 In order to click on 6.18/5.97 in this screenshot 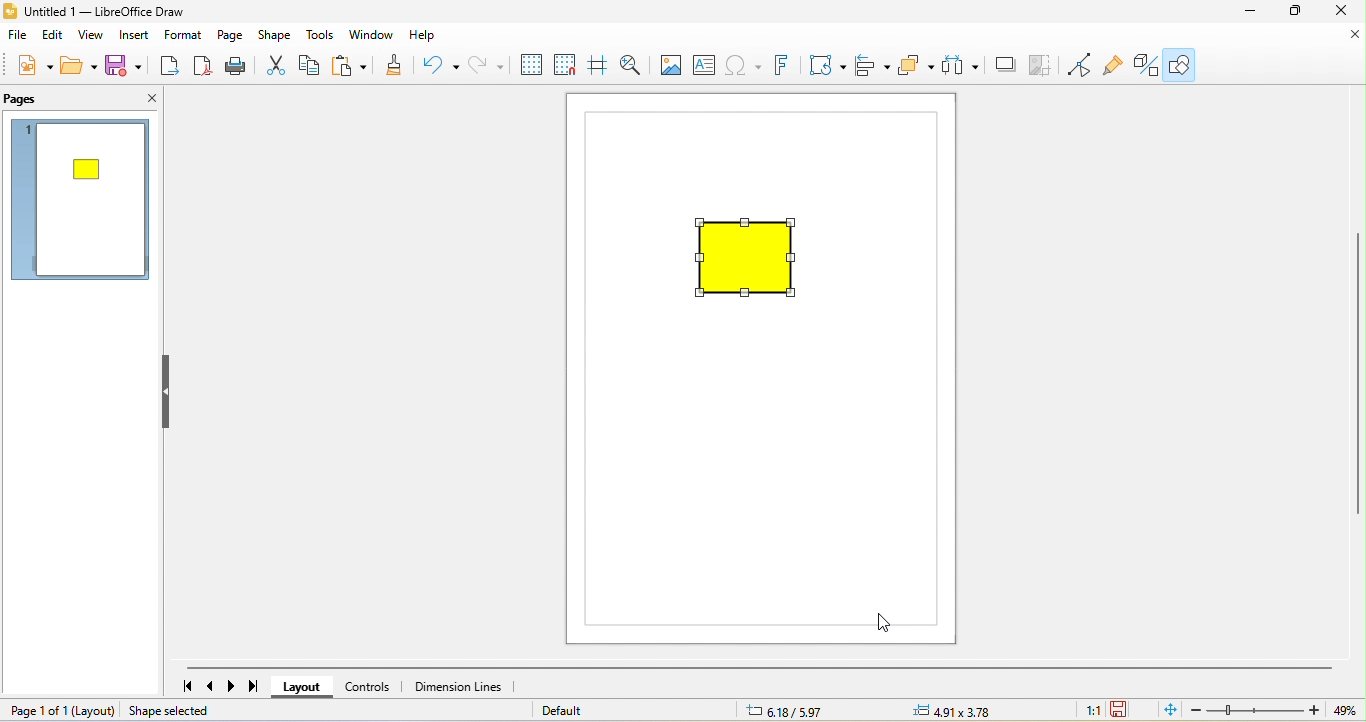, I will do `click(780, 712)`.